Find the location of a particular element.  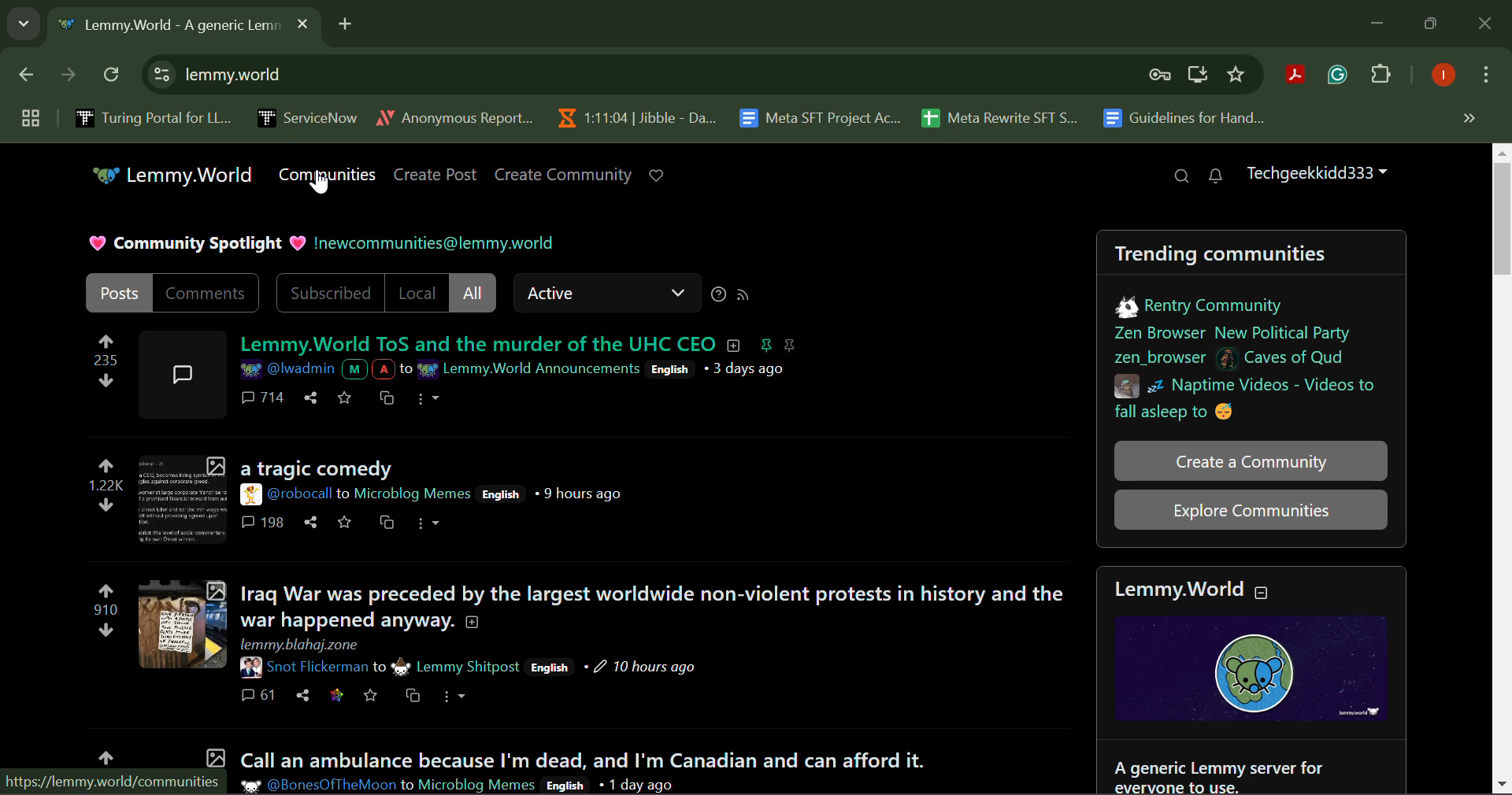

English is located at coordinates (564, 786).